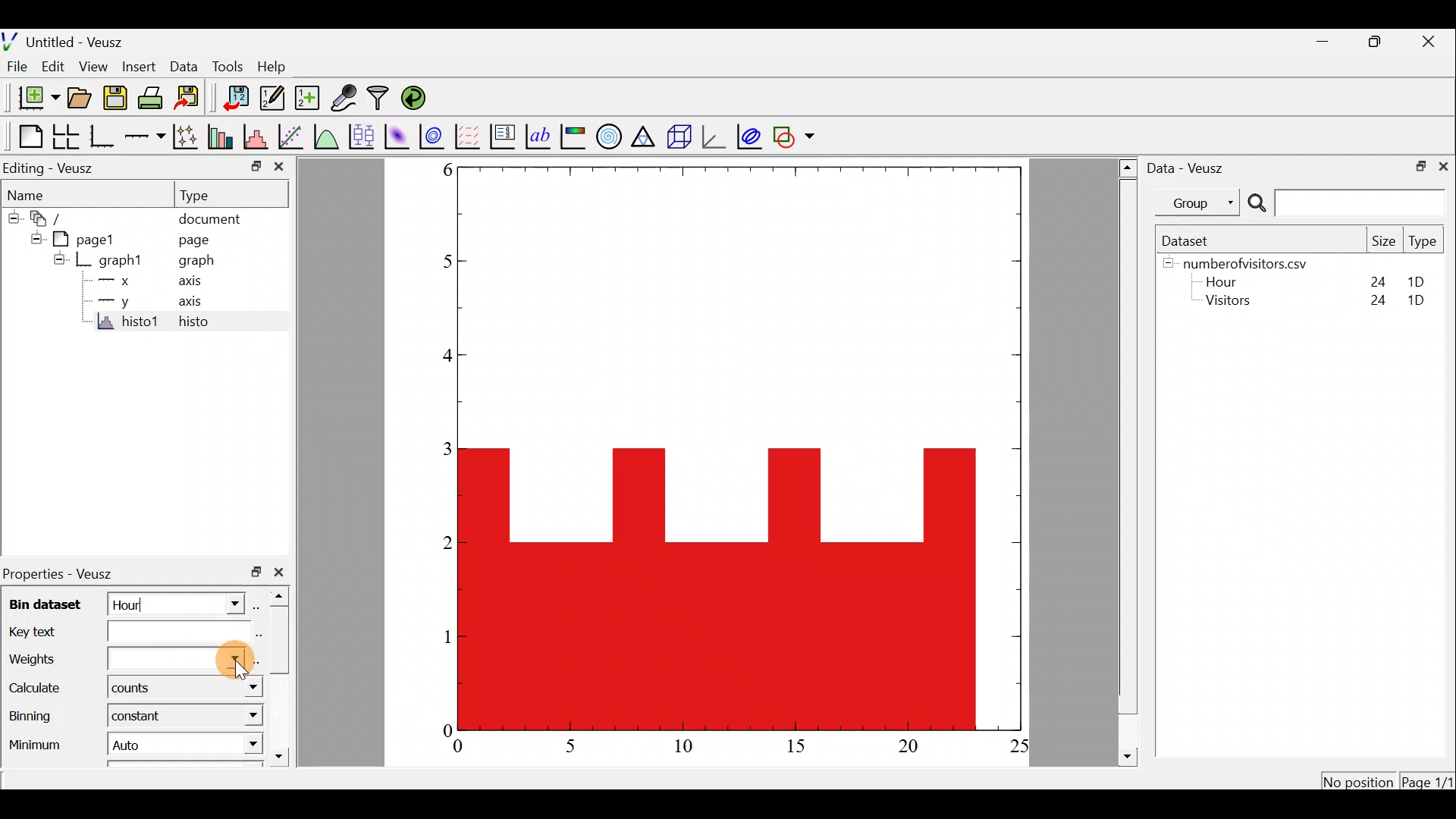 The height and width of the screenshot is (819, 1456). Describe the element at coordinates (279, 575) in the screenshot. I see `close` at that location.